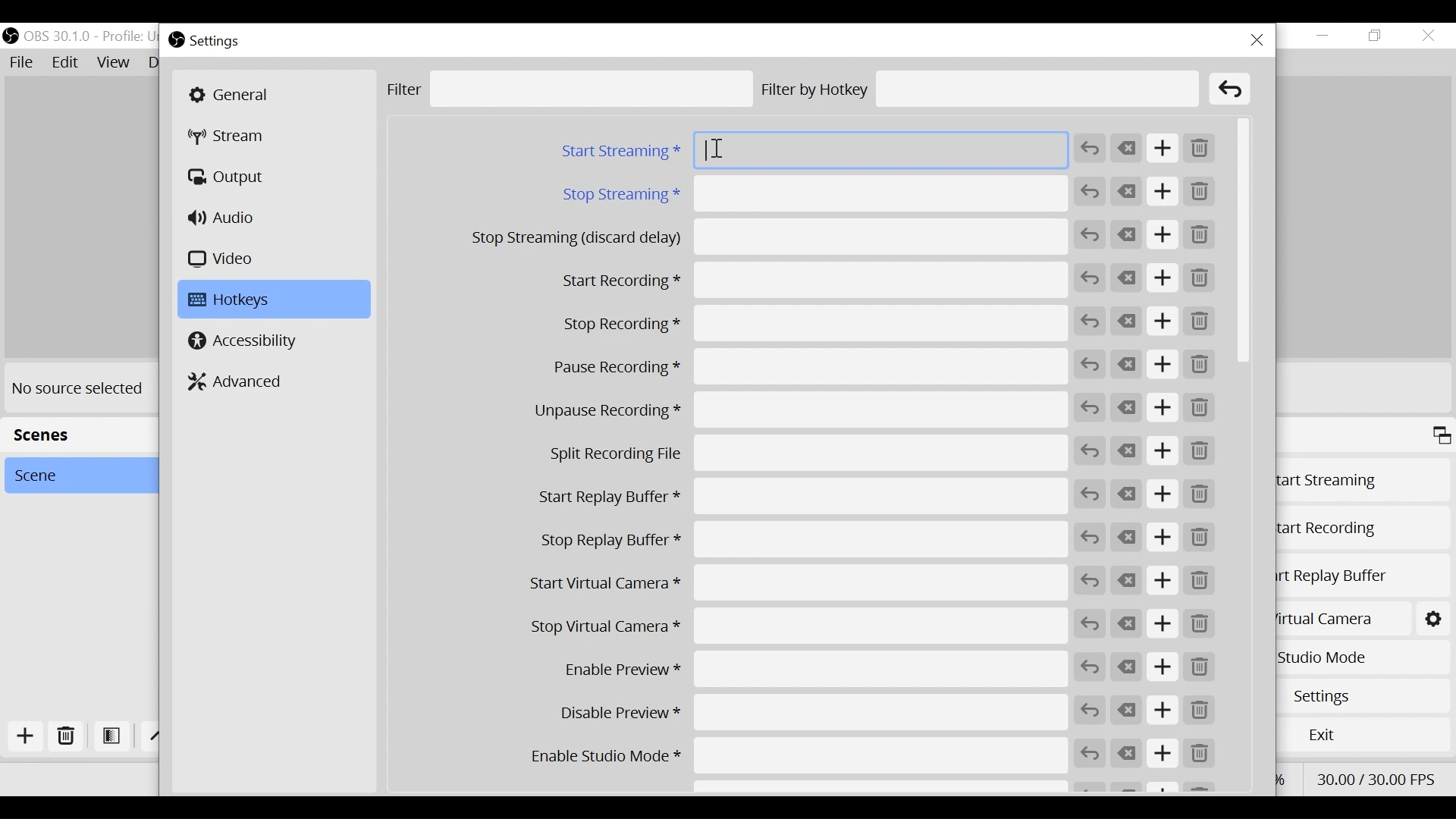  What do you see at coordinates (24, 63) in the screenshot?
I see `File` at bounding box center [24, 63].